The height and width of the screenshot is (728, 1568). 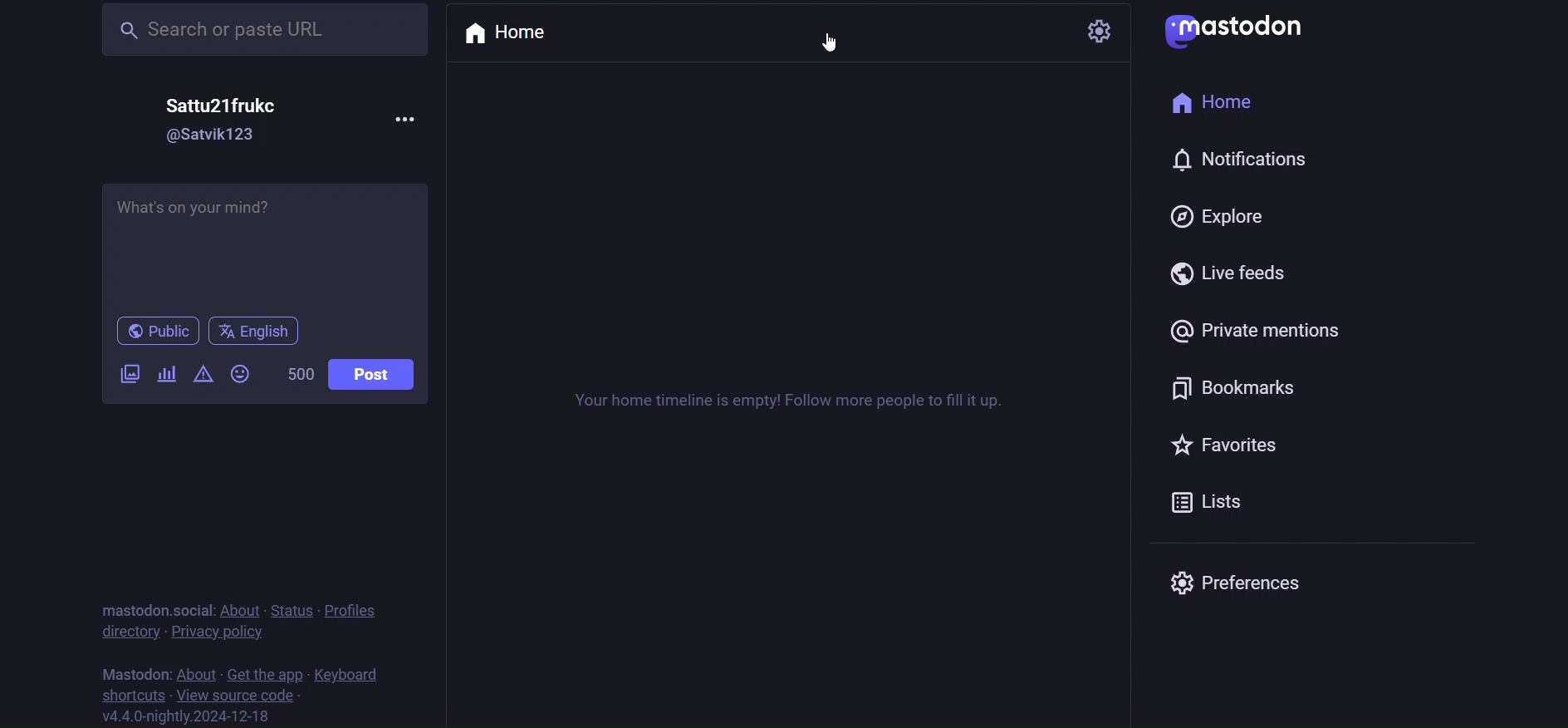 I want to click on public, so click(x=157, y=332).